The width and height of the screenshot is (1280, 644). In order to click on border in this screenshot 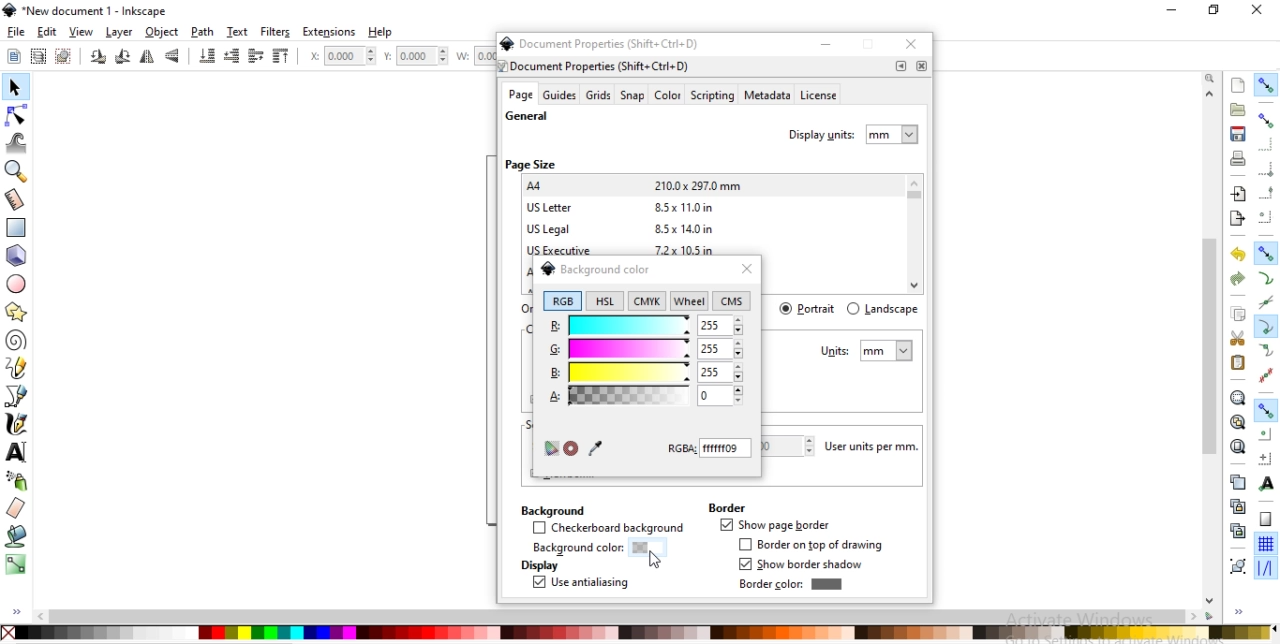, I will do `click(726, 507)`.